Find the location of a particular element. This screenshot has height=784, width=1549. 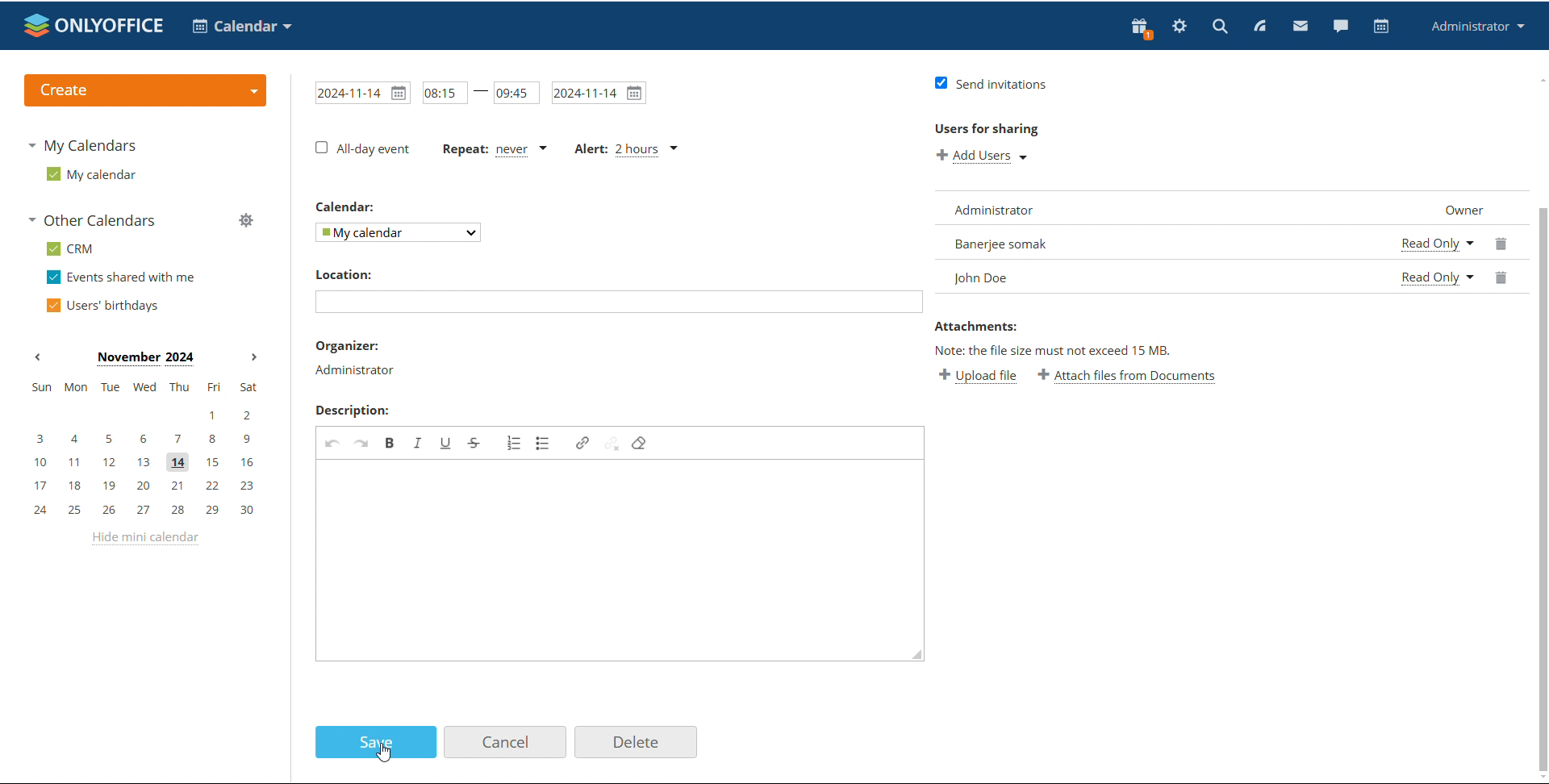

24, 25, 26, 27, 28, 29, 30 is located at coordinates (143, 509).